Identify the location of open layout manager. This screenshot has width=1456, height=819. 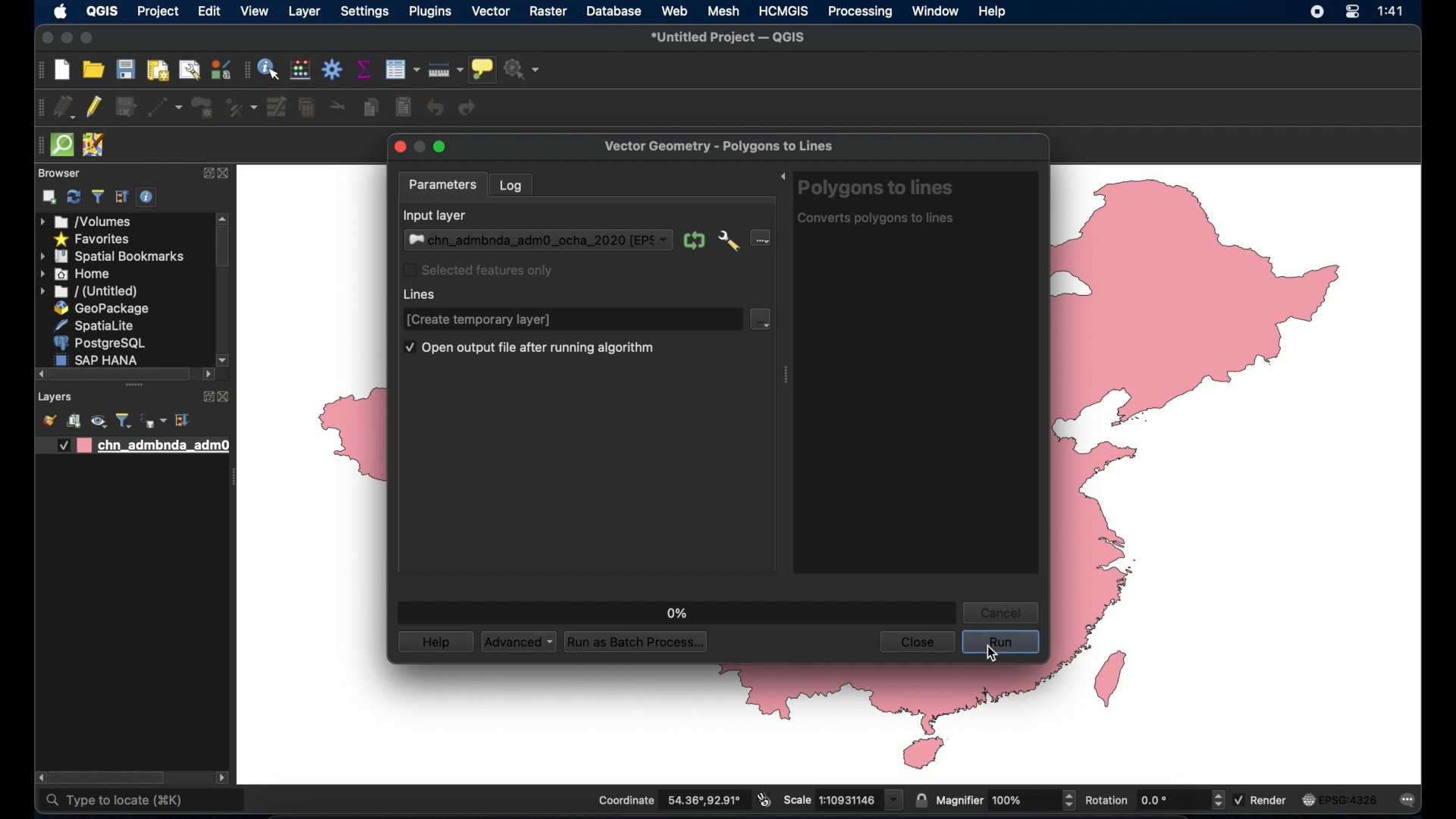
(190, 70).